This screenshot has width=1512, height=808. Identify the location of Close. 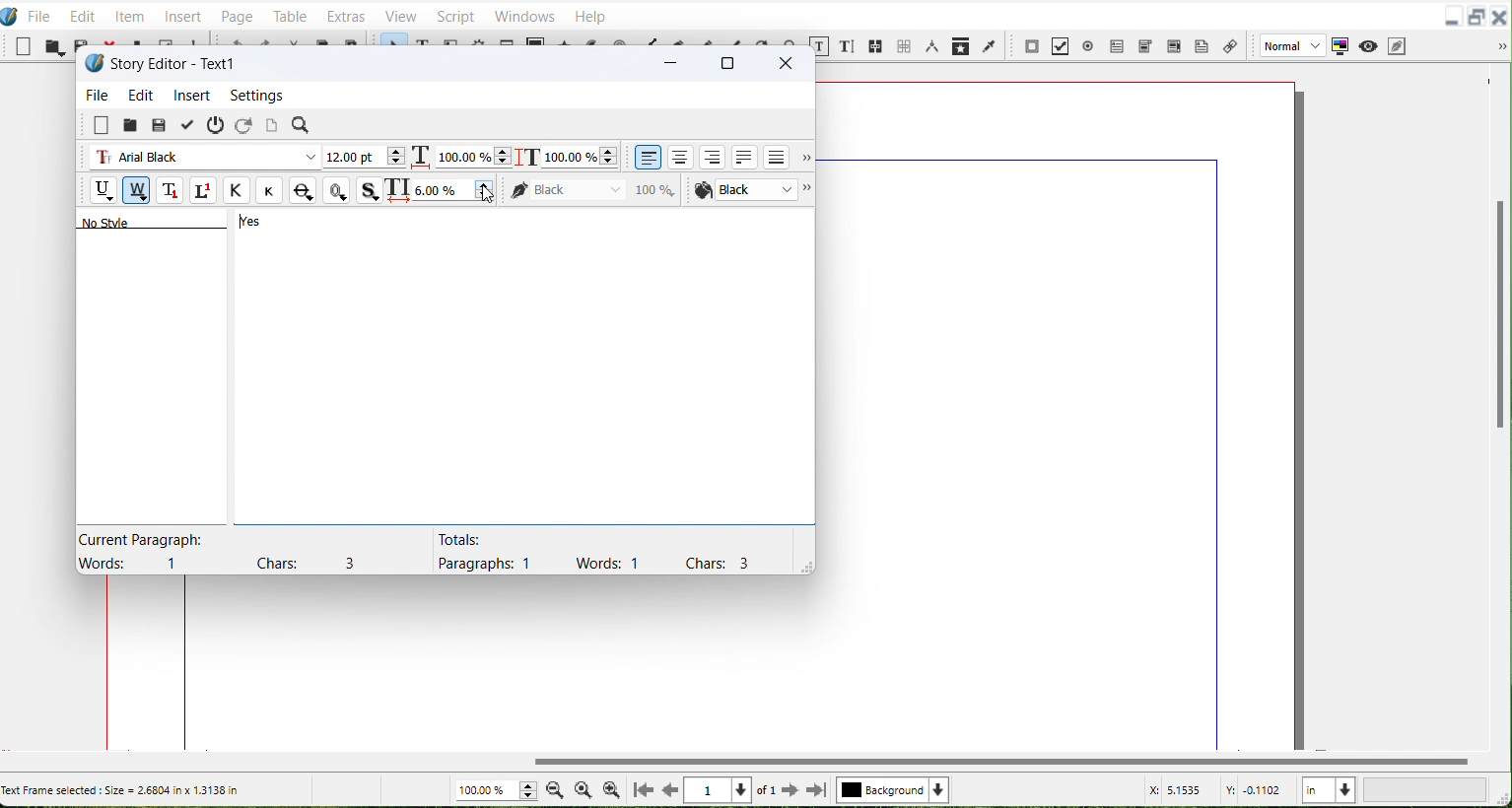
(790, 61).